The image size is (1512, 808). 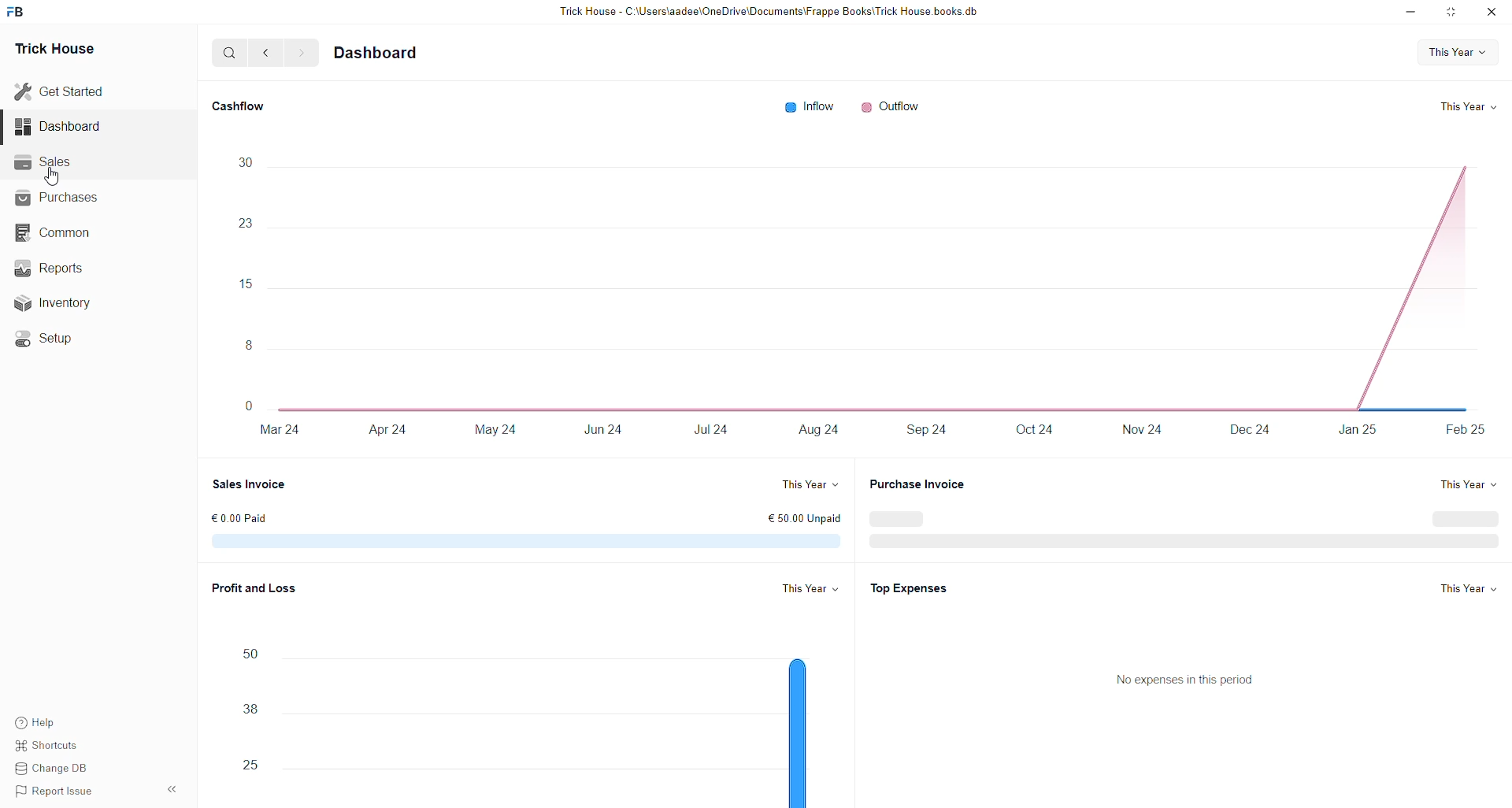 What do you see at coordinates (800, 589) in the screenshot?
I see `This year` at bounding box center [800, 589].